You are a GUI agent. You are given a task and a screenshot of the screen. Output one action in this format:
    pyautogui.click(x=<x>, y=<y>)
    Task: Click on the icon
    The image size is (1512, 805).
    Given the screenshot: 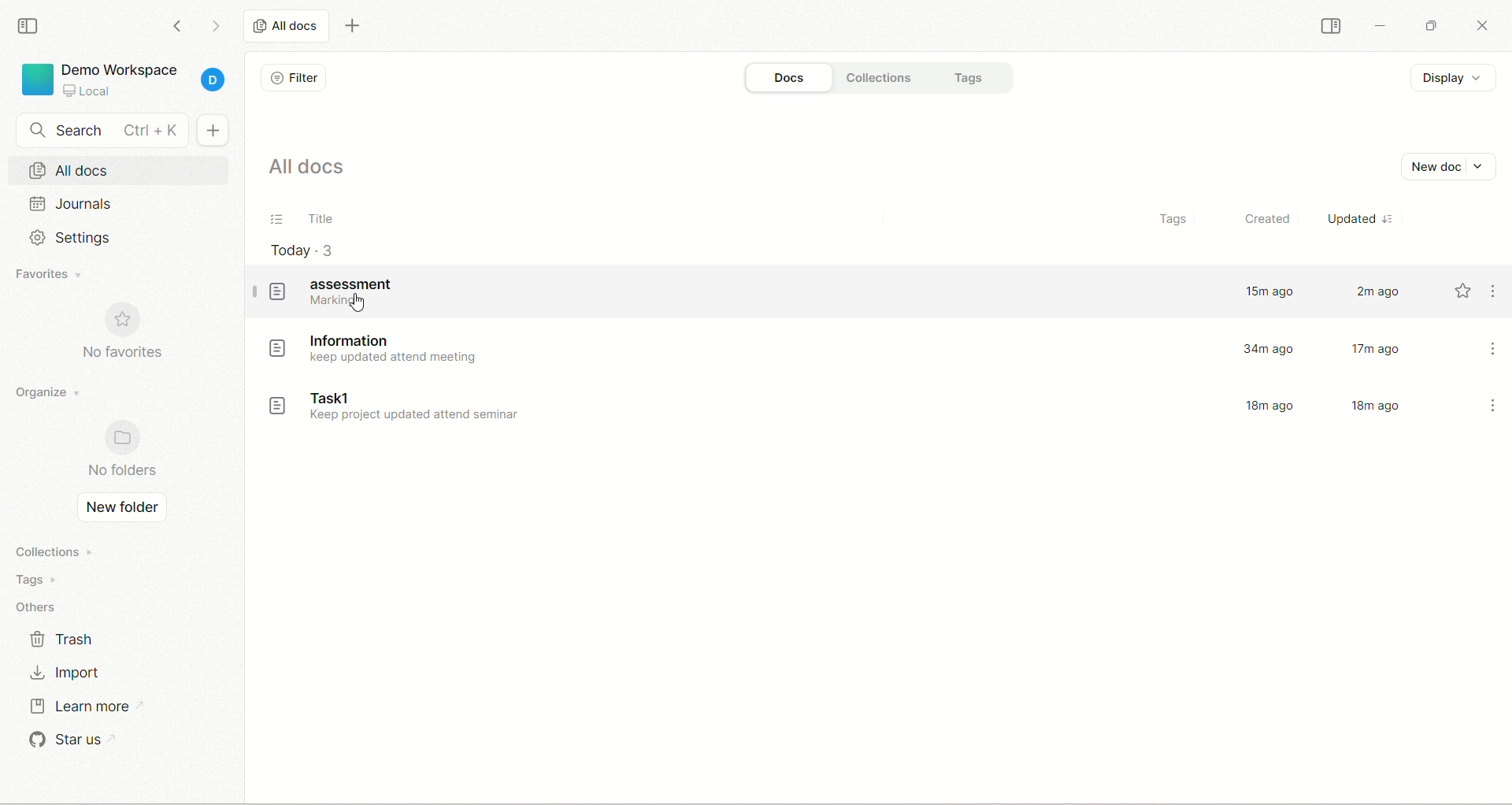 What is the action you would take?
    pyautogui.click(x=126, y=320)
    